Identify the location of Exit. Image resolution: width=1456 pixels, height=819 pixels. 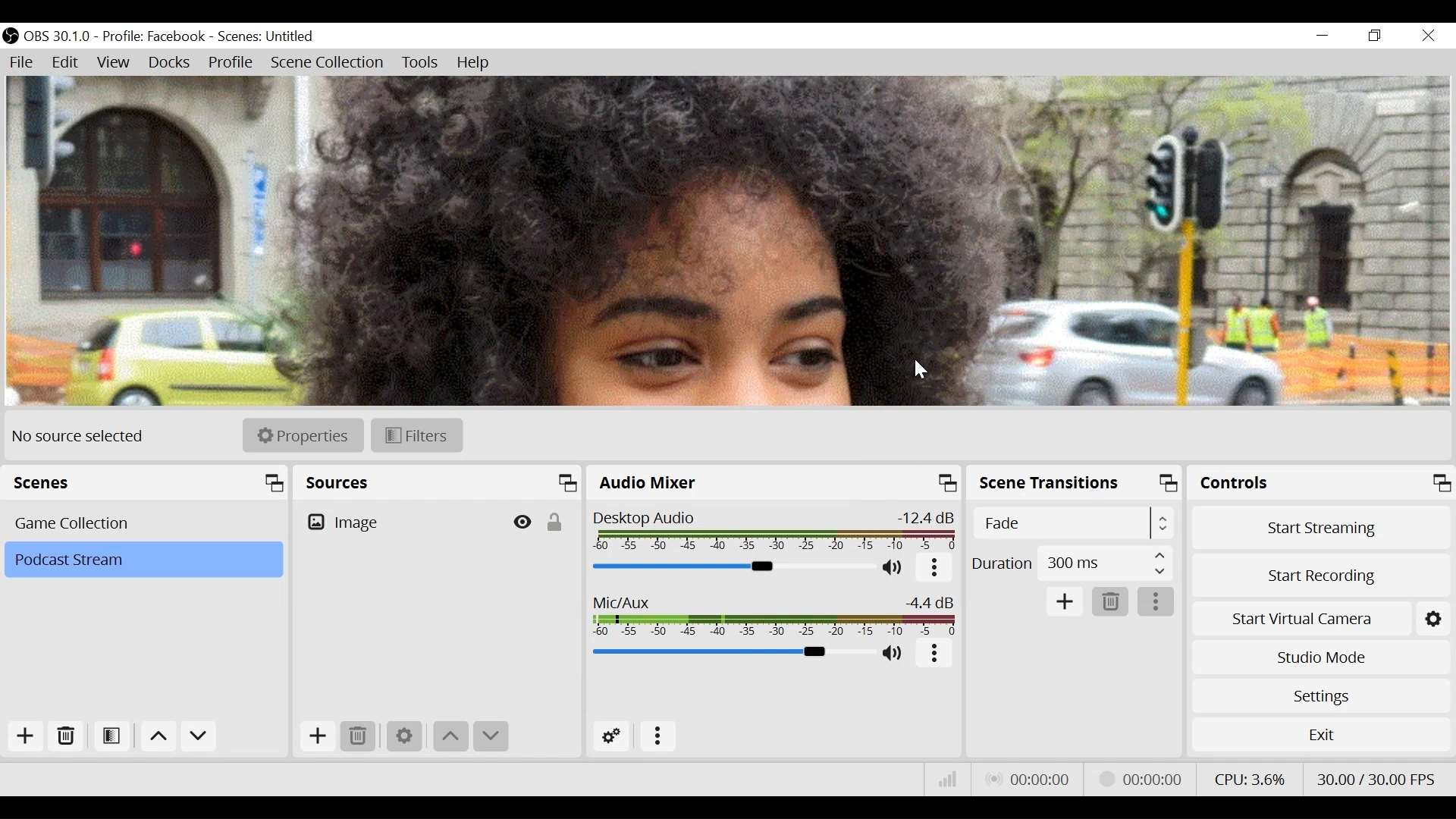
(1323, 737).